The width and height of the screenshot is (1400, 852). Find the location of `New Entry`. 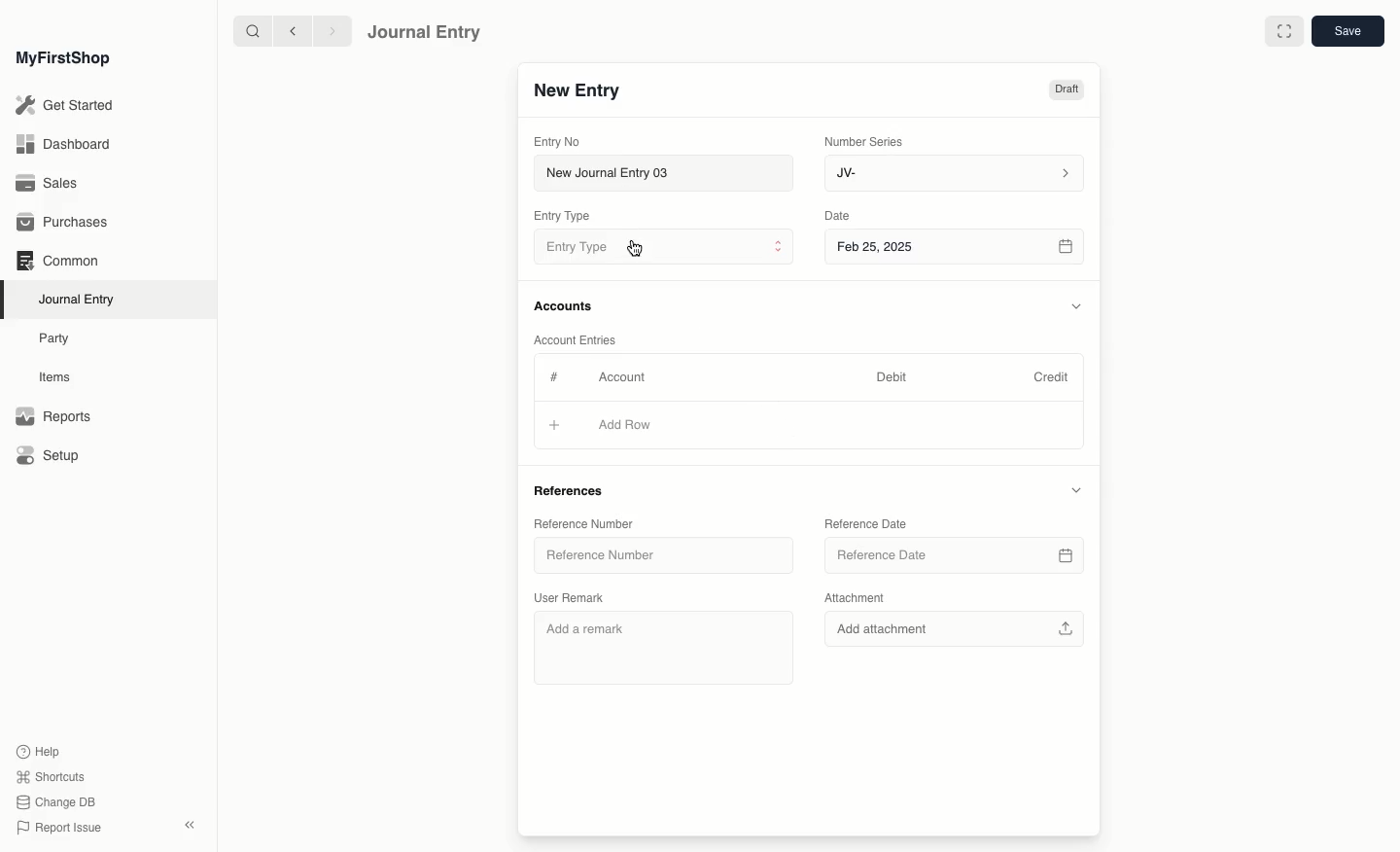

New Entry is located at coordinates (577, 91).